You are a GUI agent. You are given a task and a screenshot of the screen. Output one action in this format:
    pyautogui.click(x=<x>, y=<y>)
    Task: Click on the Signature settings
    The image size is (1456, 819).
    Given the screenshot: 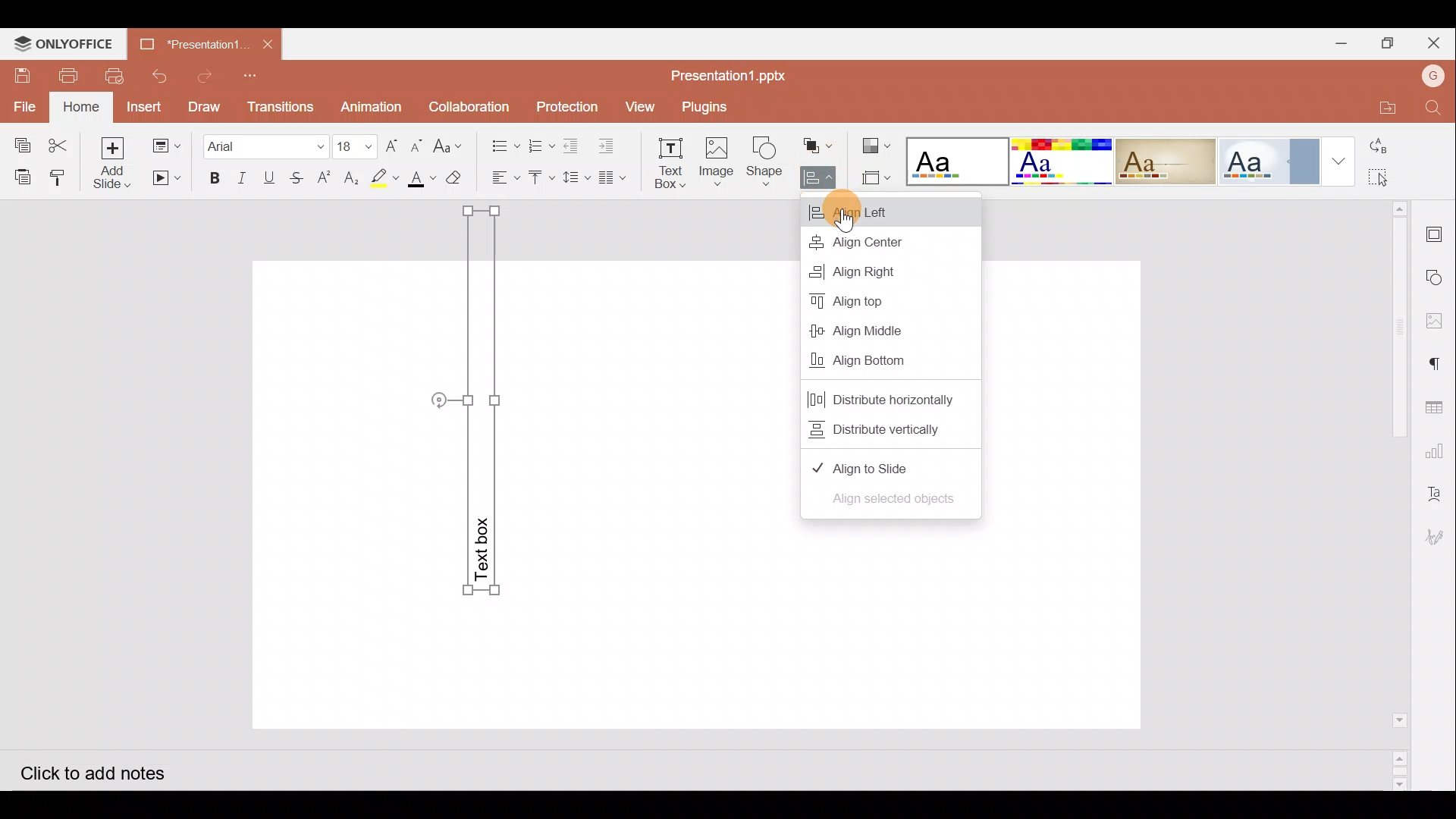 What is the action you would take?
    pyautogui.click(x=1436, y=539)
    